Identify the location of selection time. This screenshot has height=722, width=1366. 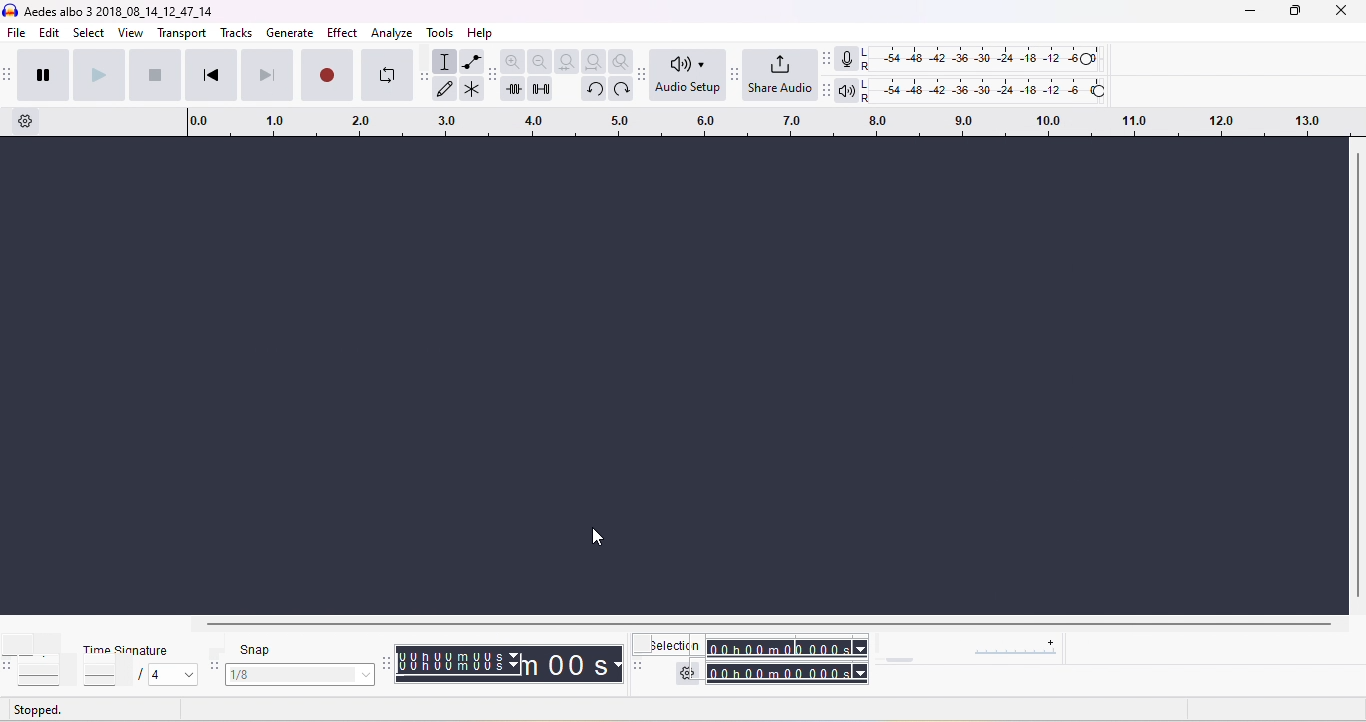
(778, 650).